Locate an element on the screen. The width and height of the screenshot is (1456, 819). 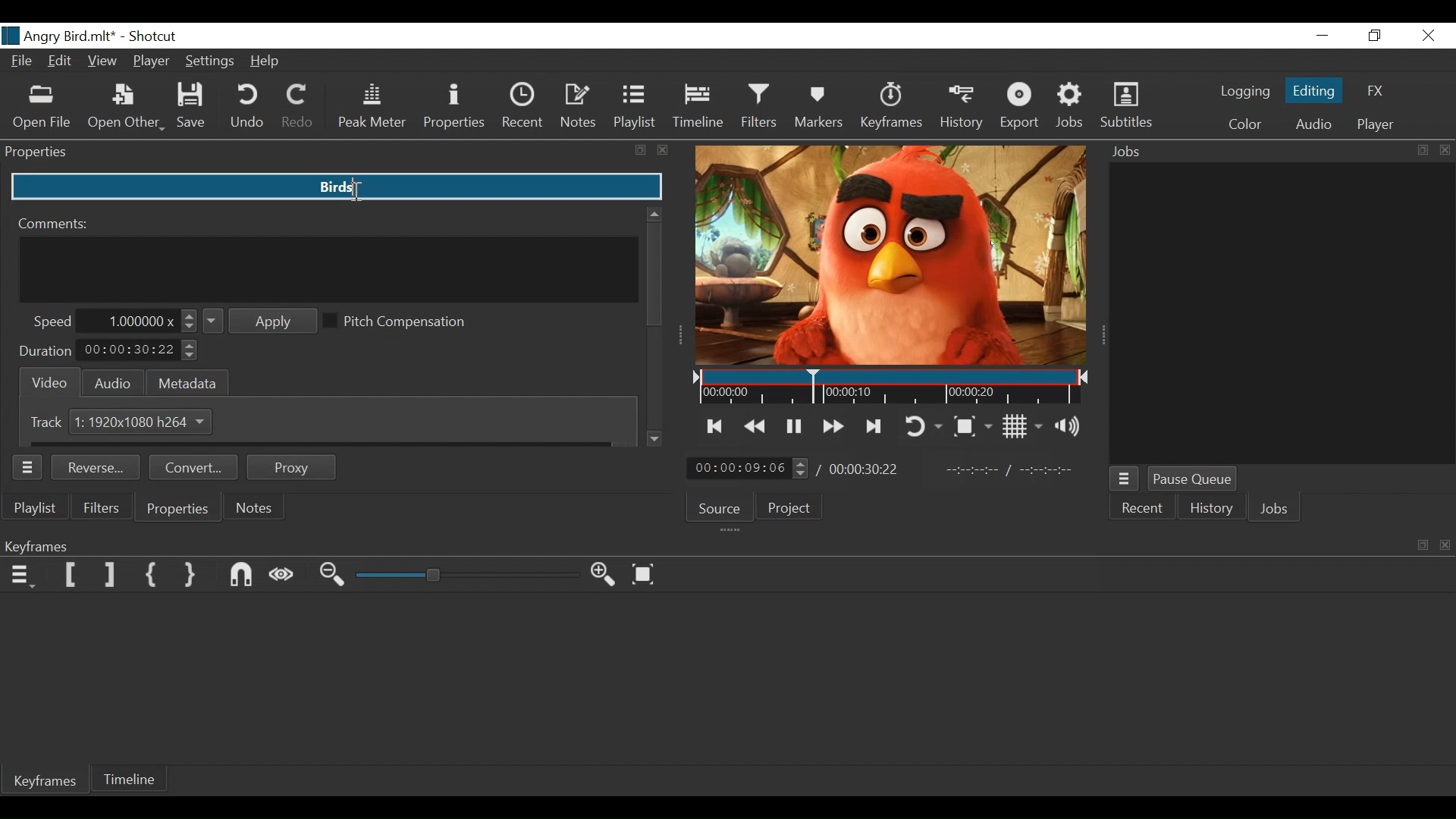
Scroll down is located at coordinates (656, 439).